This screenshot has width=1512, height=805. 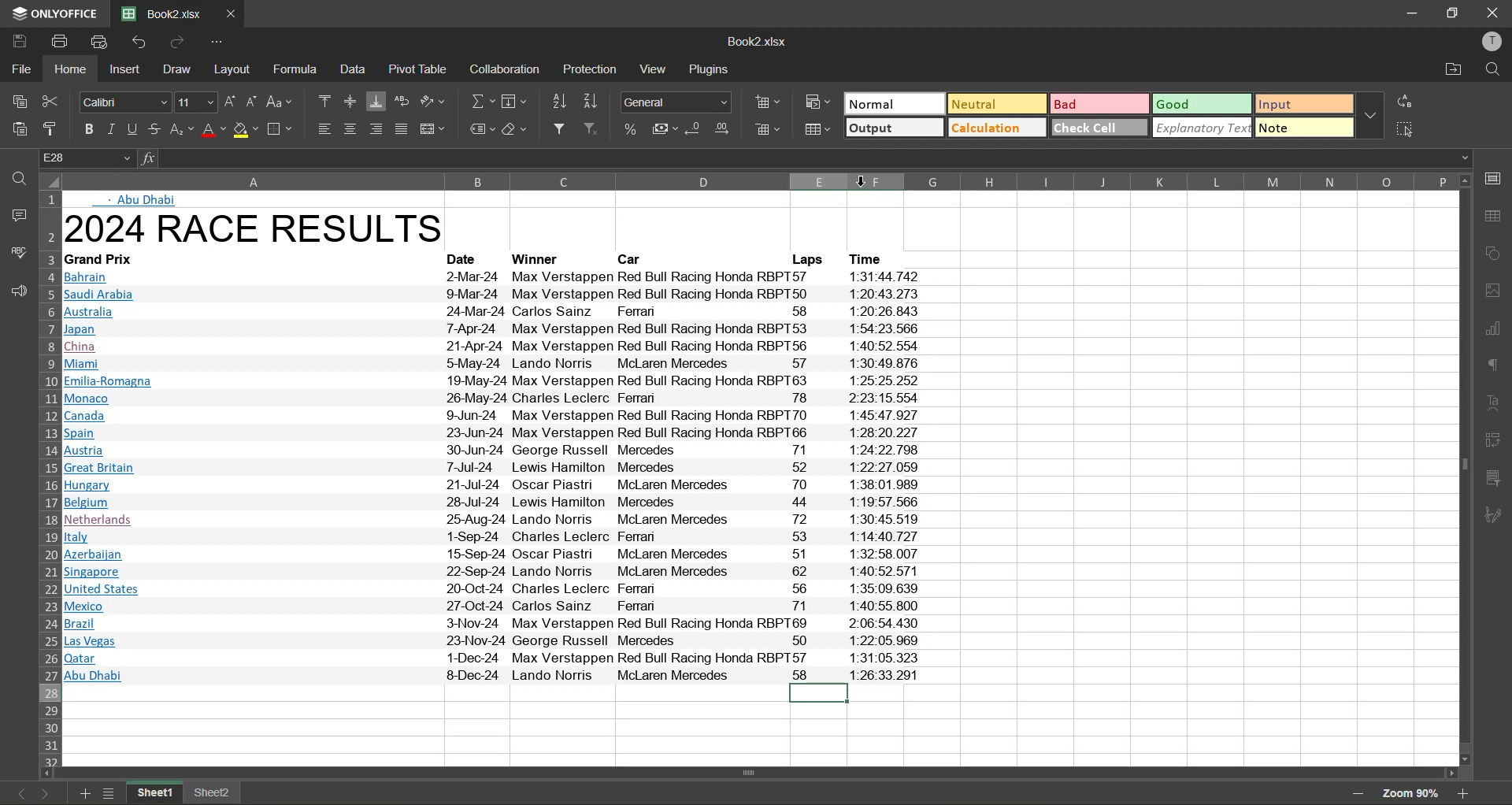 I want to click on sort descending, so click(x=591, y=102).